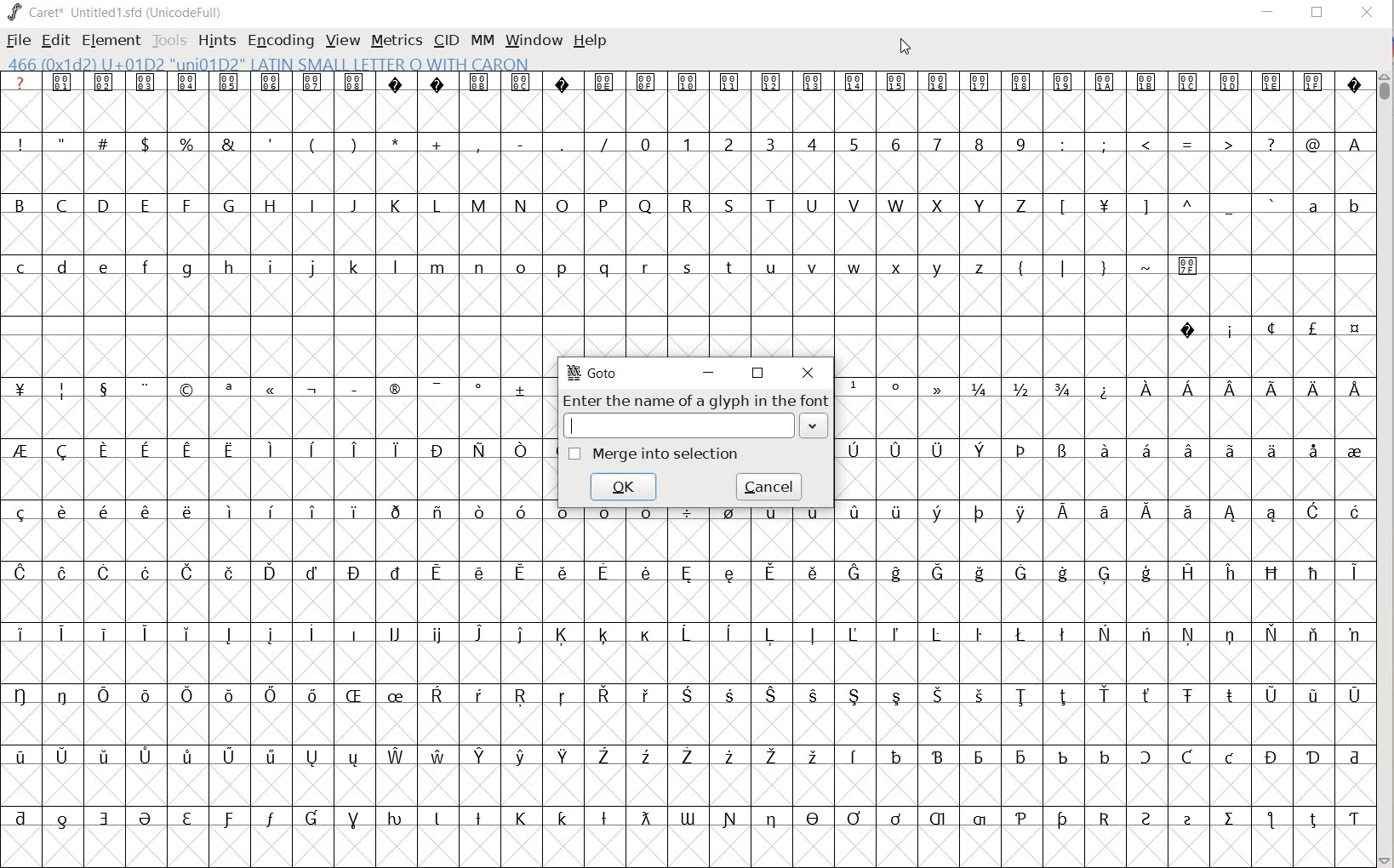 Image resolution: width=1394 pixels, height=868 pixels. What do you see at coordinates (1365, 14) in the screenshot?
I see `CLOSE` at bounding box center [1365, 14].